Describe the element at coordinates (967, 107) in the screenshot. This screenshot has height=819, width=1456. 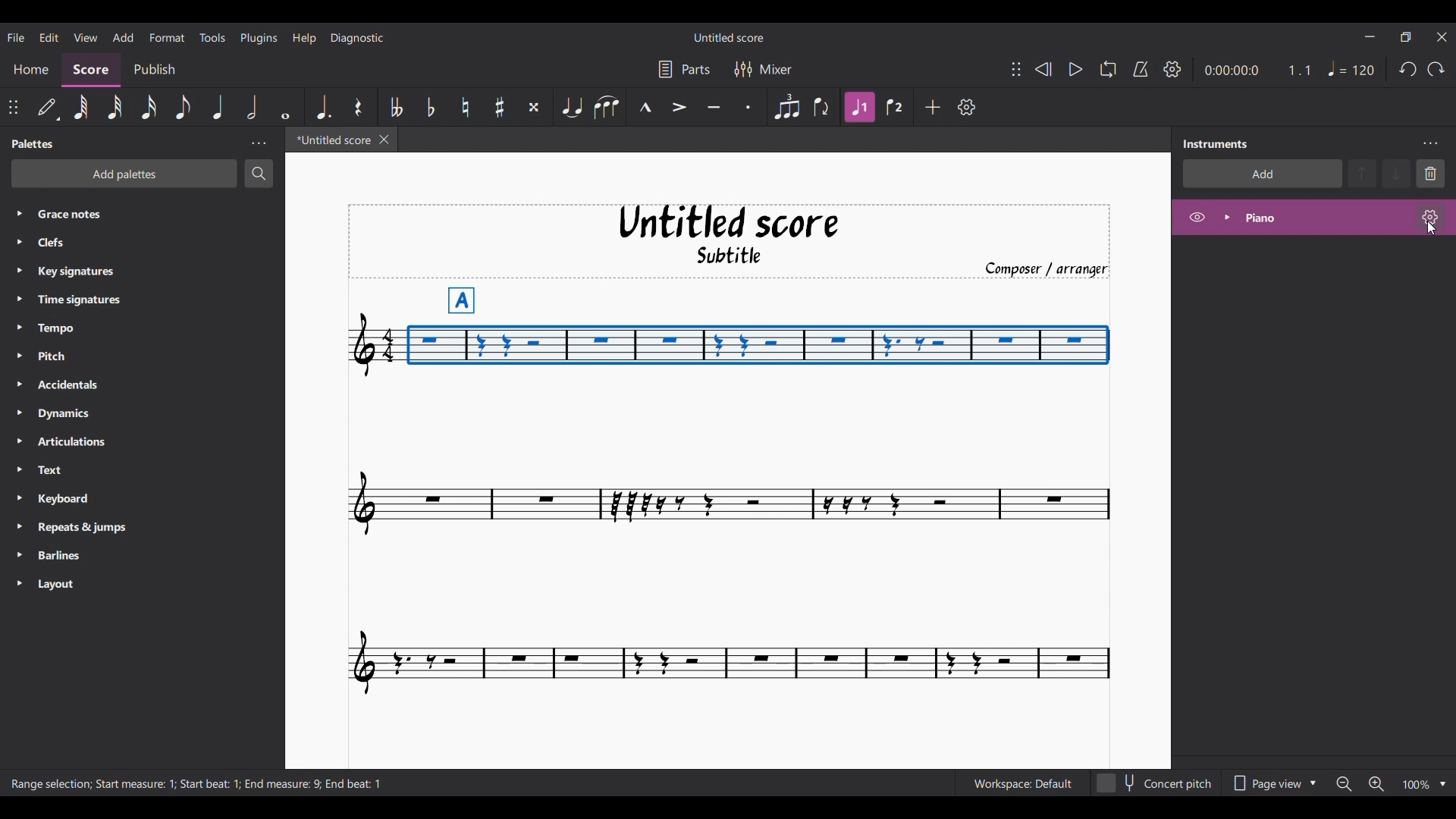
I see `Customize toolbar` at that location.